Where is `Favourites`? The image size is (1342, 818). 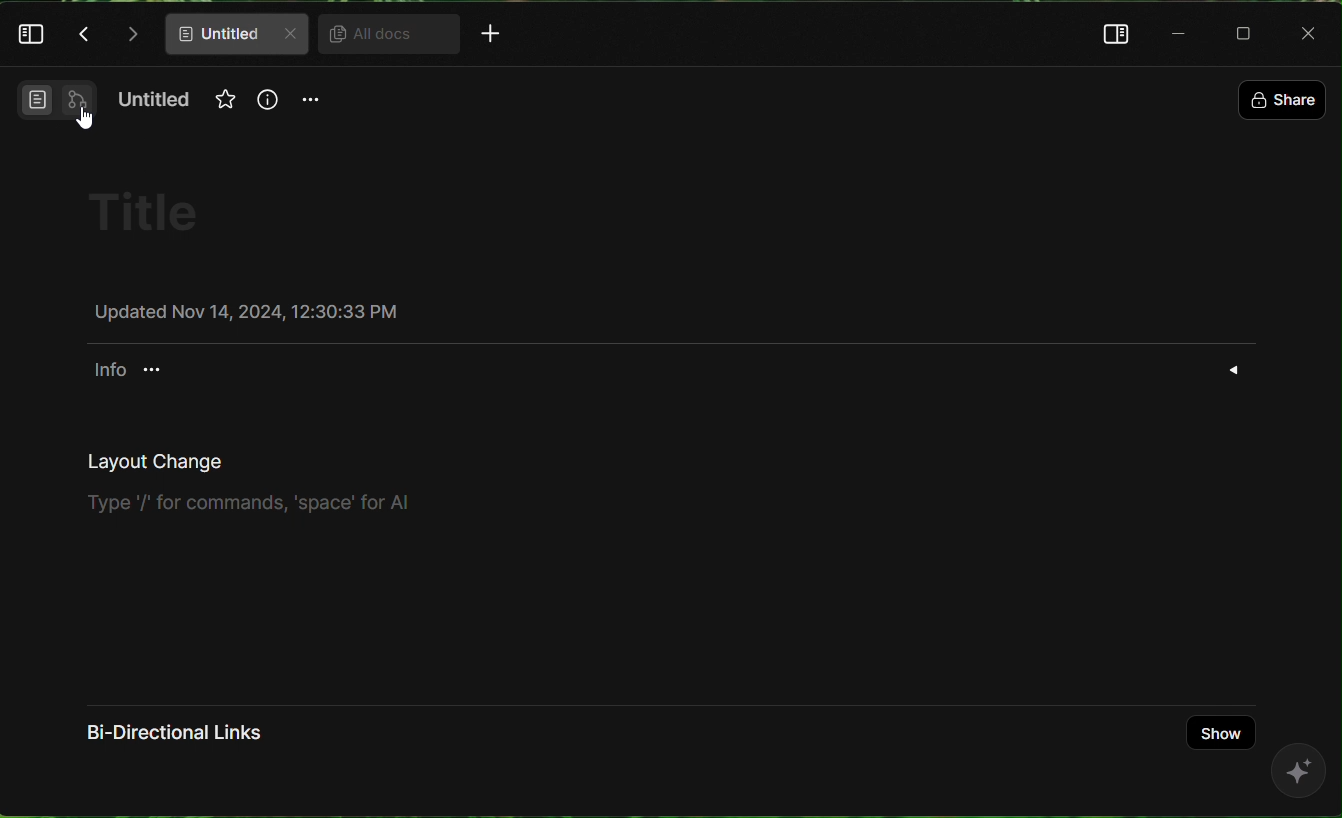
Favourites is located at coordinates (223, 98).